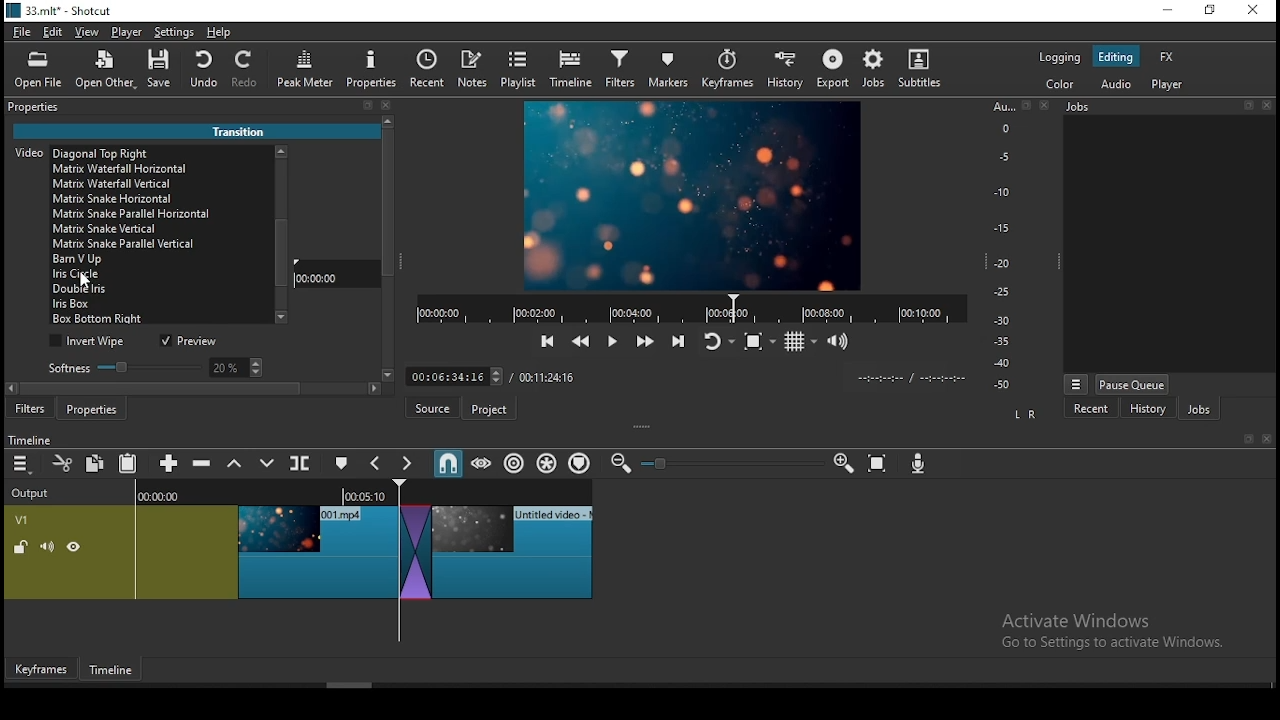 The image size is (1280, 720). What do you see at coordinates (475, 69) in the screenshot?
I see `notes` at bounding box center [475, 69].